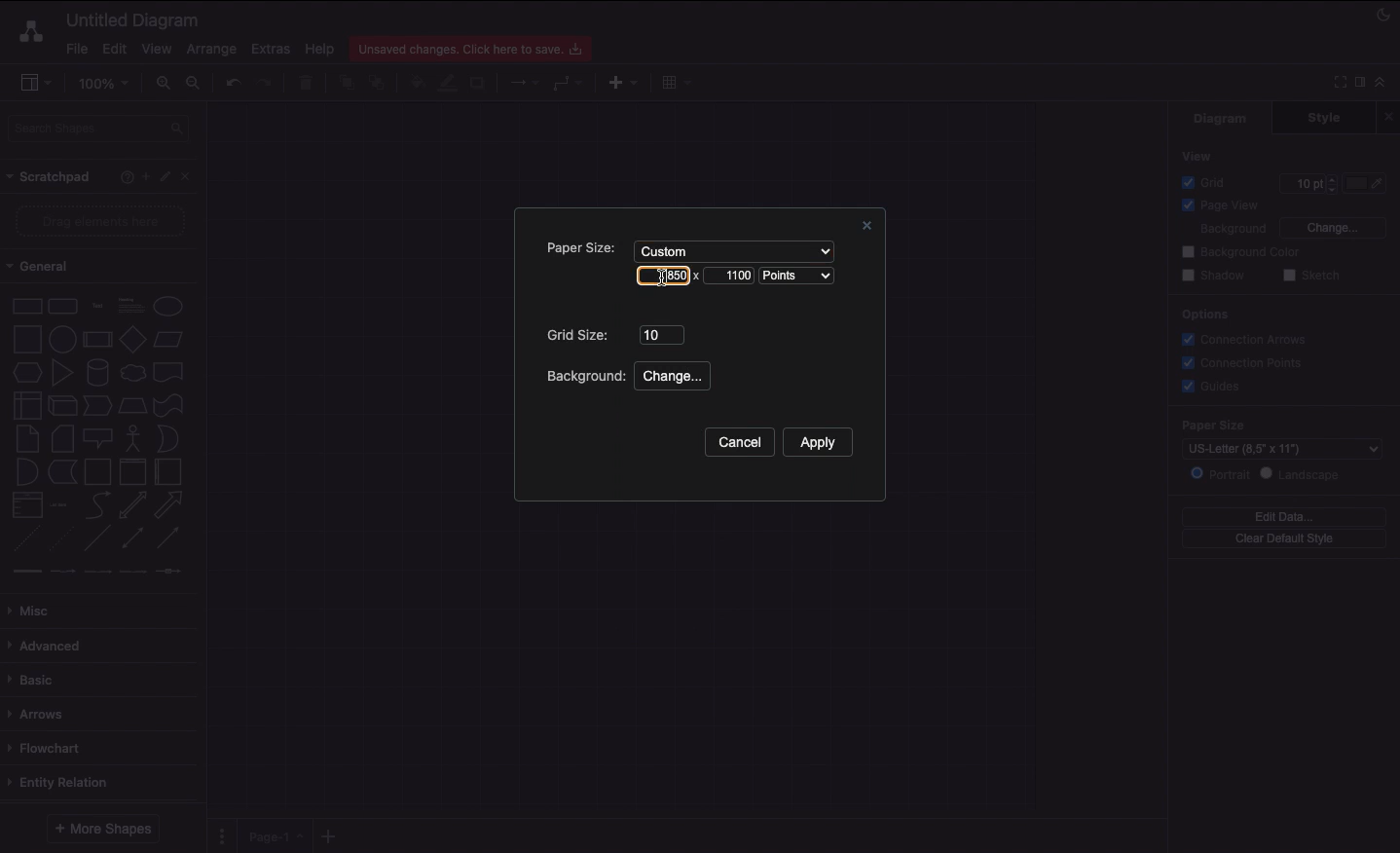 The width and height of the screenshot is (1400, 853). I want to click on Rectangle, so click(25, 305).